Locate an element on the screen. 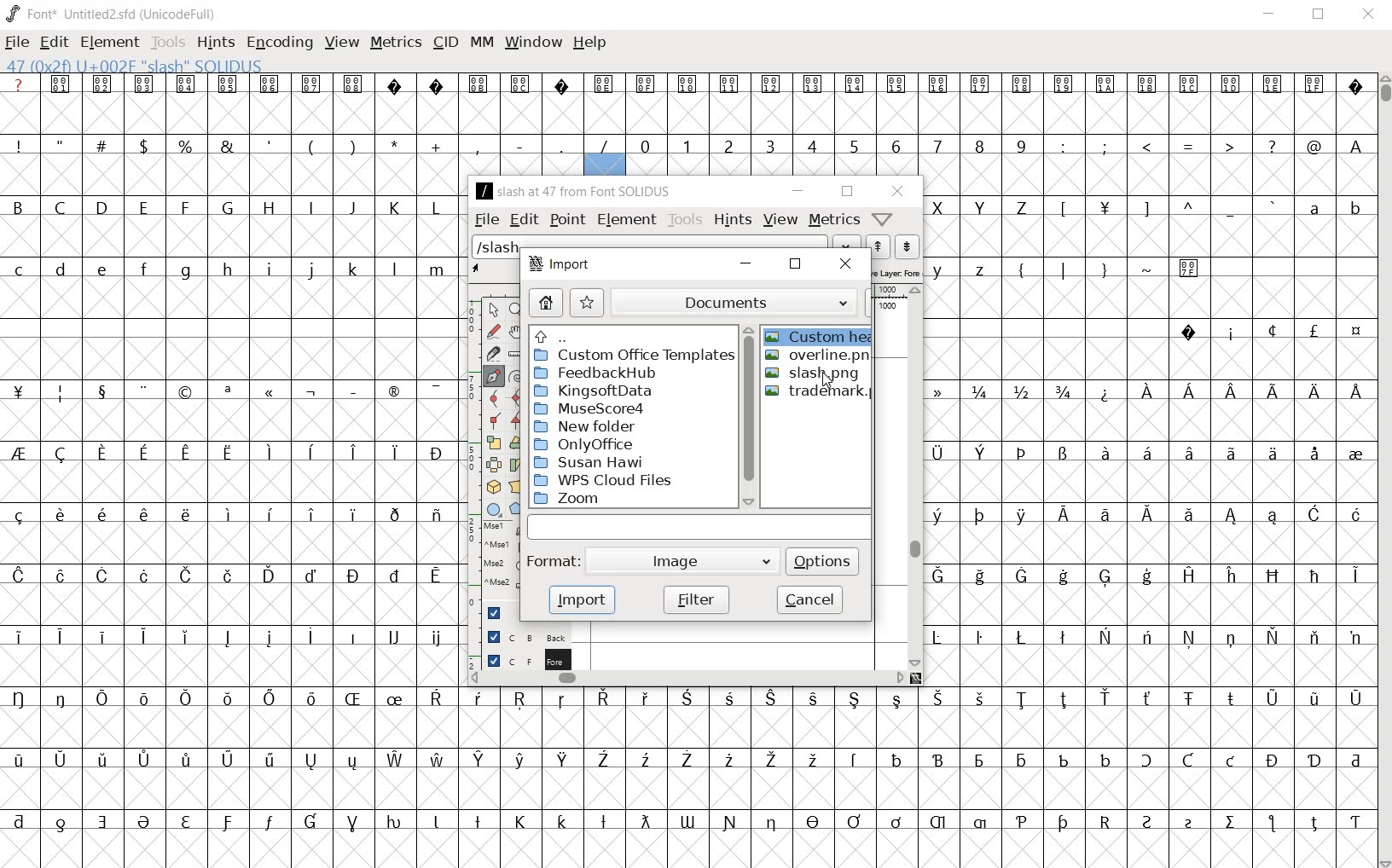 The image size is (1392, 868). empty cells is located at coordinates (1151, 361).